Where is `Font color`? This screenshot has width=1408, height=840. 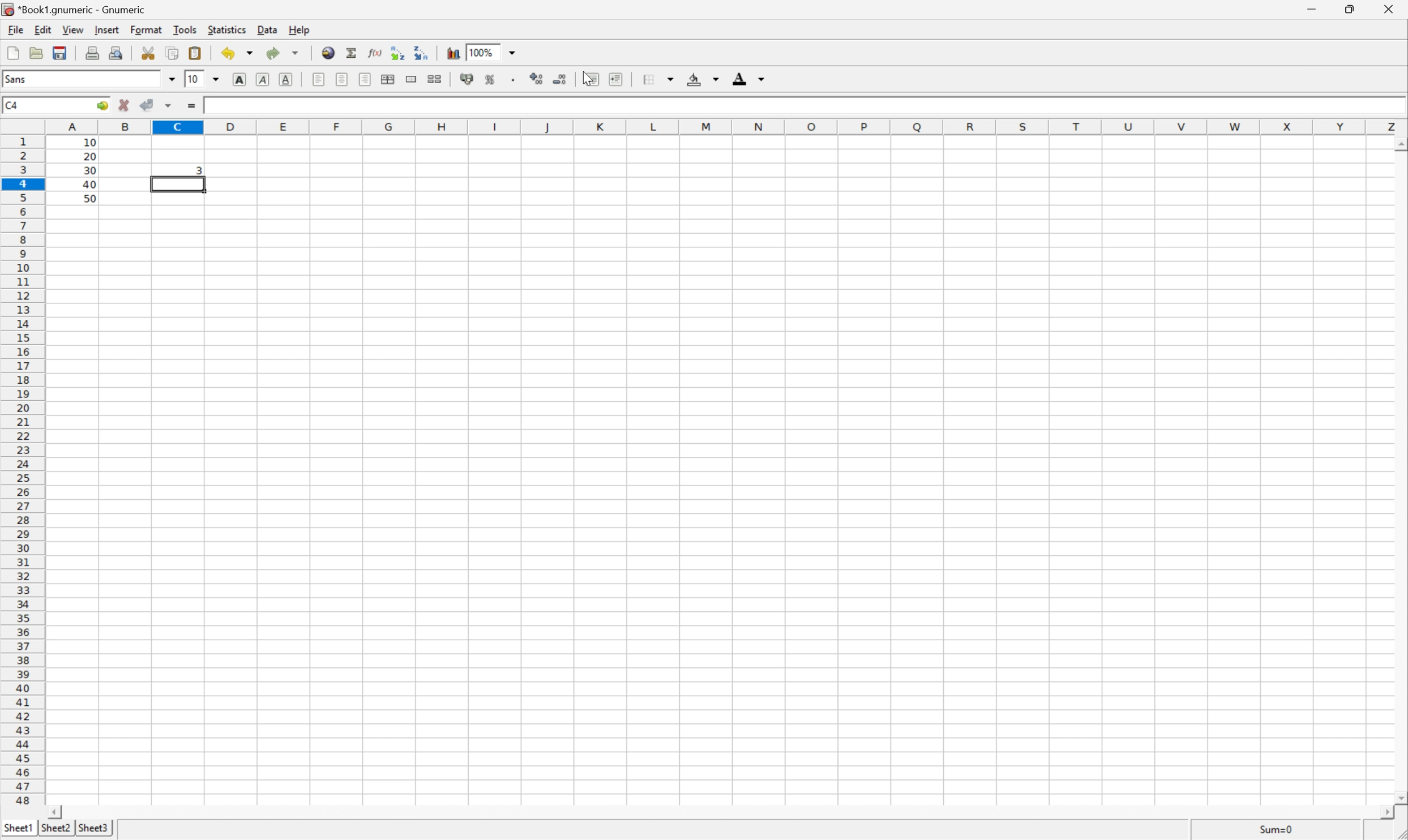 Font color is located at coordinates (740, 76).